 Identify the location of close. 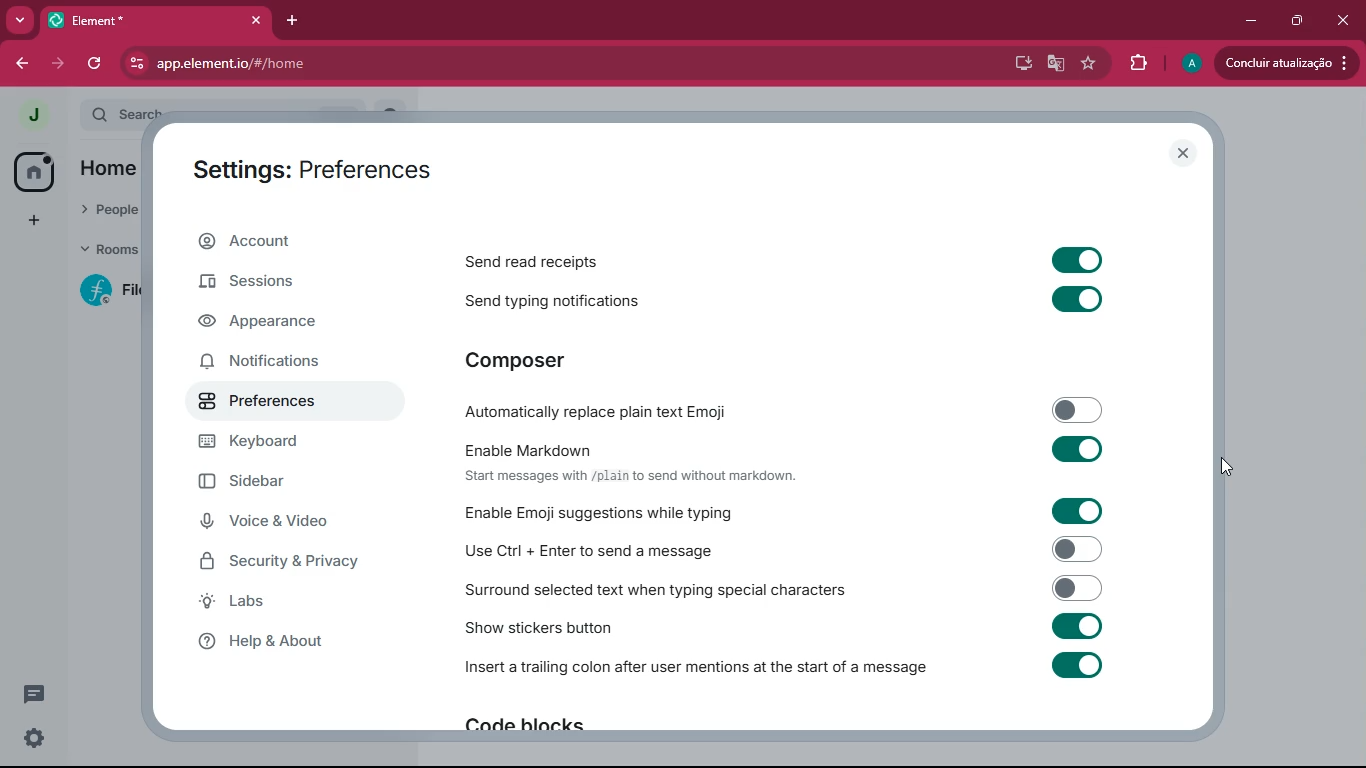
(1345, 20).